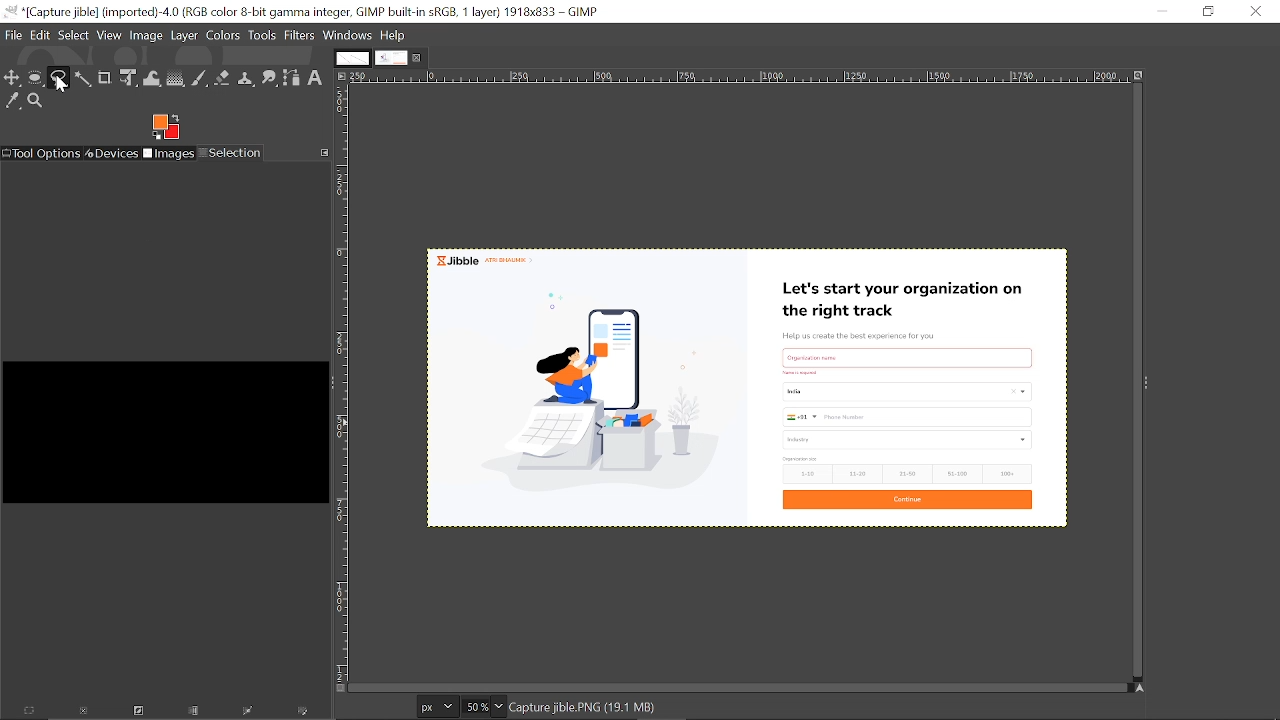  I want to click on Smudge tool, so click(270, 77).